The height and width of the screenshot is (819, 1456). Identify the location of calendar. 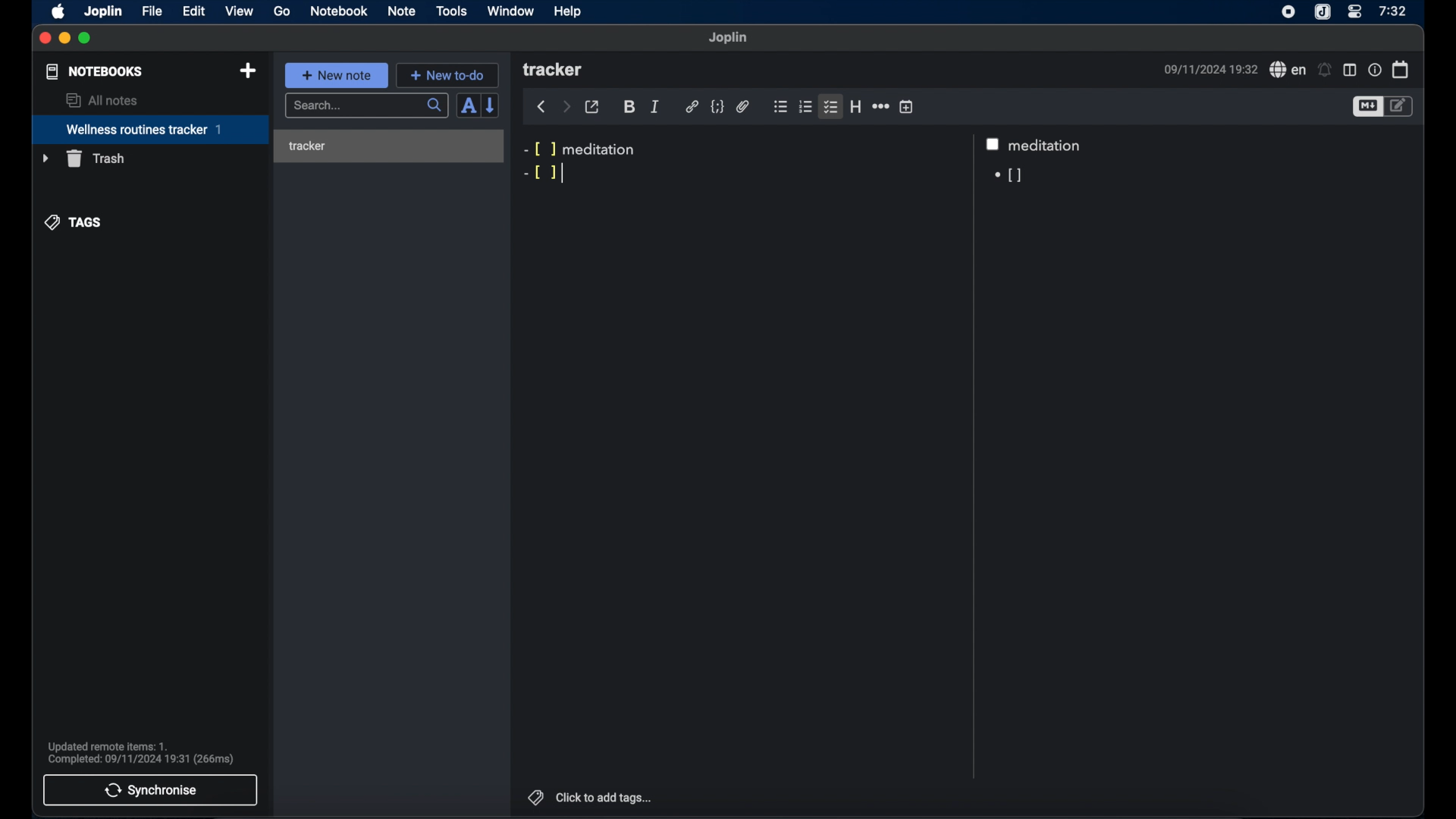
(1401, 69).